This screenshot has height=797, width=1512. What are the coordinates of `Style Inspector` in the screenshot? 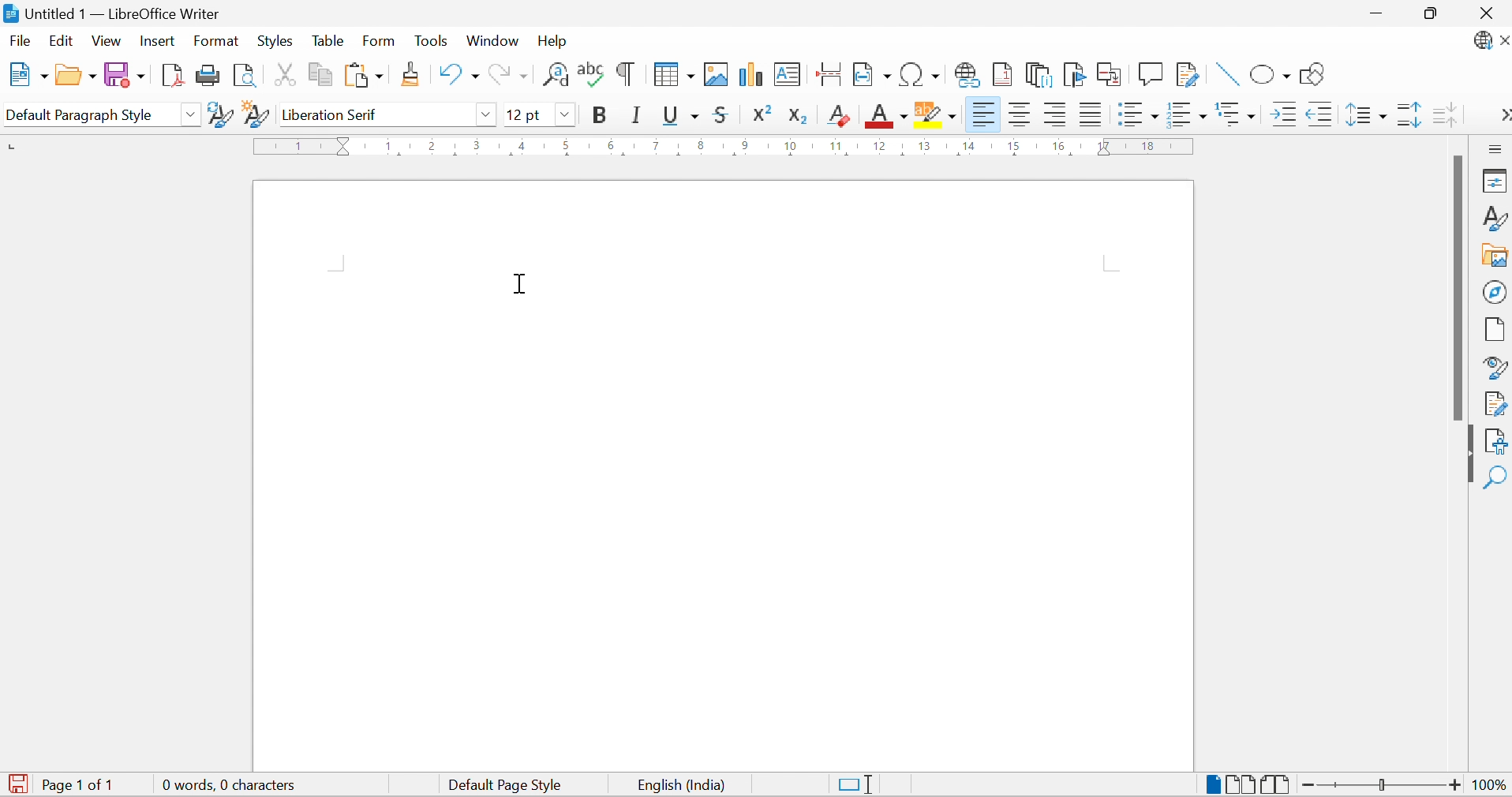 It's located at (1496, 368).